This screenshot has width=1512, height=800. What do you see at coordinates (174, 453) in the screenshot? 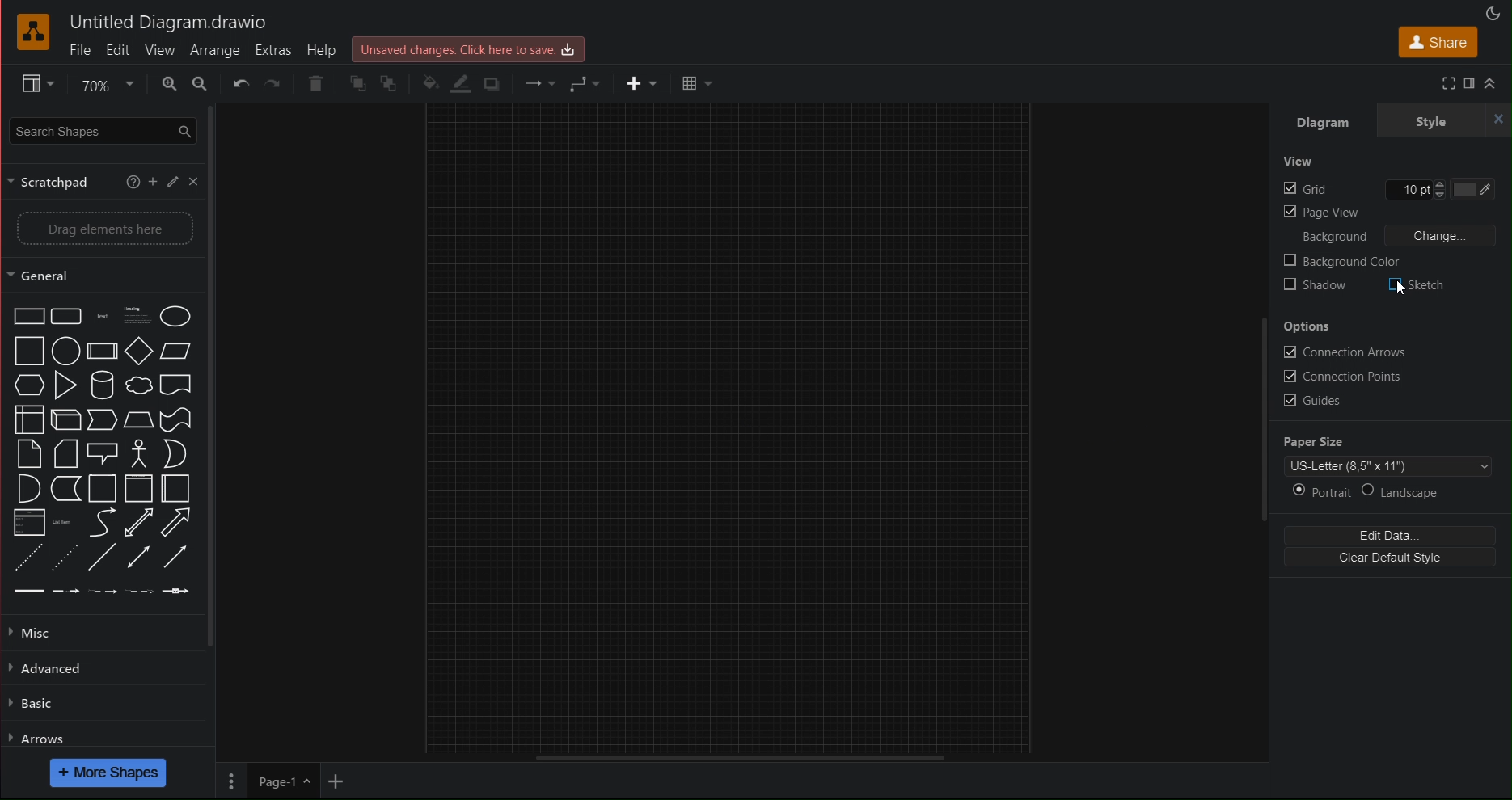
I see `or` at bounding box center [174, 453].